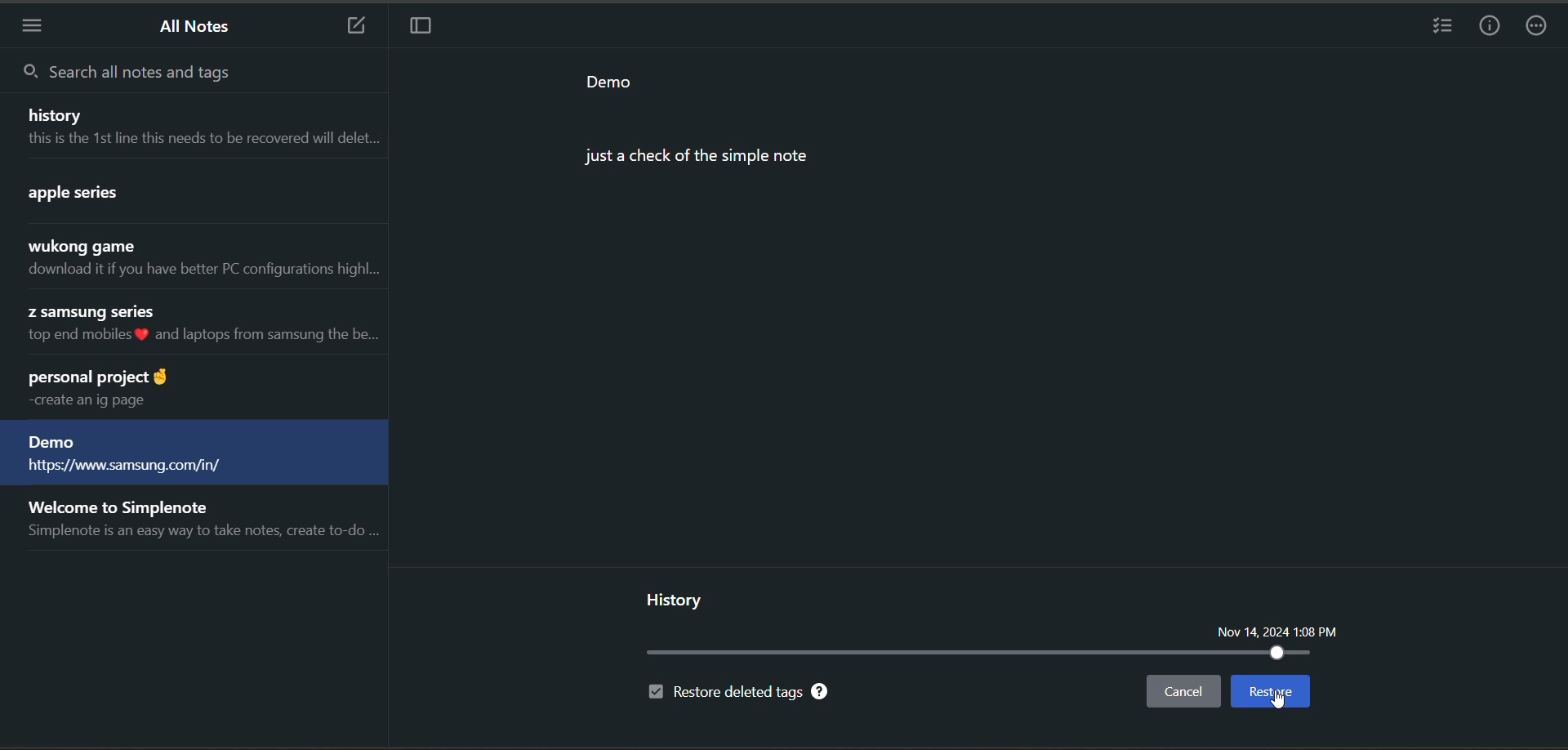  I want to click on note title and preview, so click(194, 125).